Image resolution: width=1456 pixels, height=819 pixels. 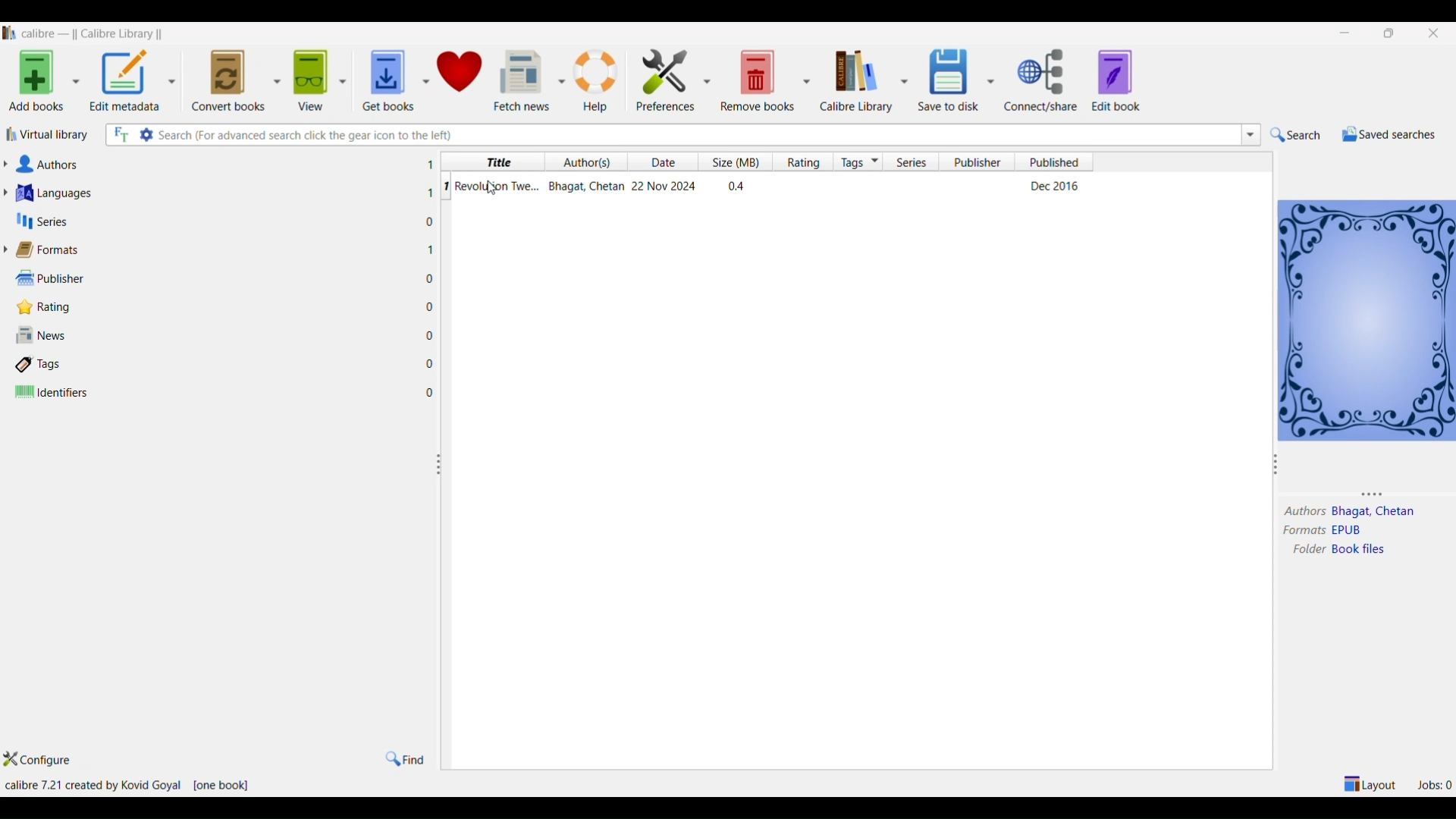 I want to click on saved searches, so click(x=1387, y=134).